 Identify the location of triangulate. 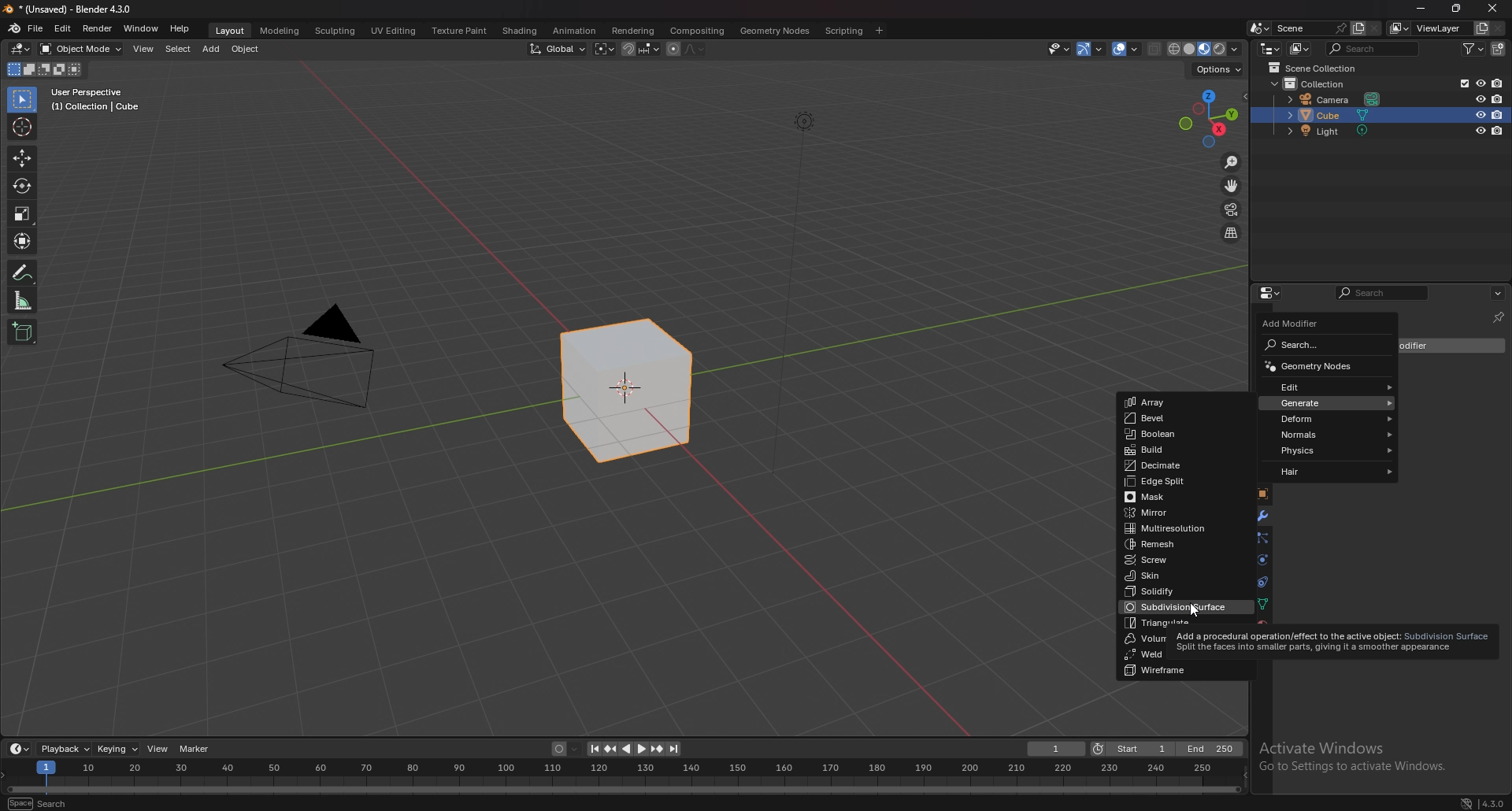
(1181, 623).